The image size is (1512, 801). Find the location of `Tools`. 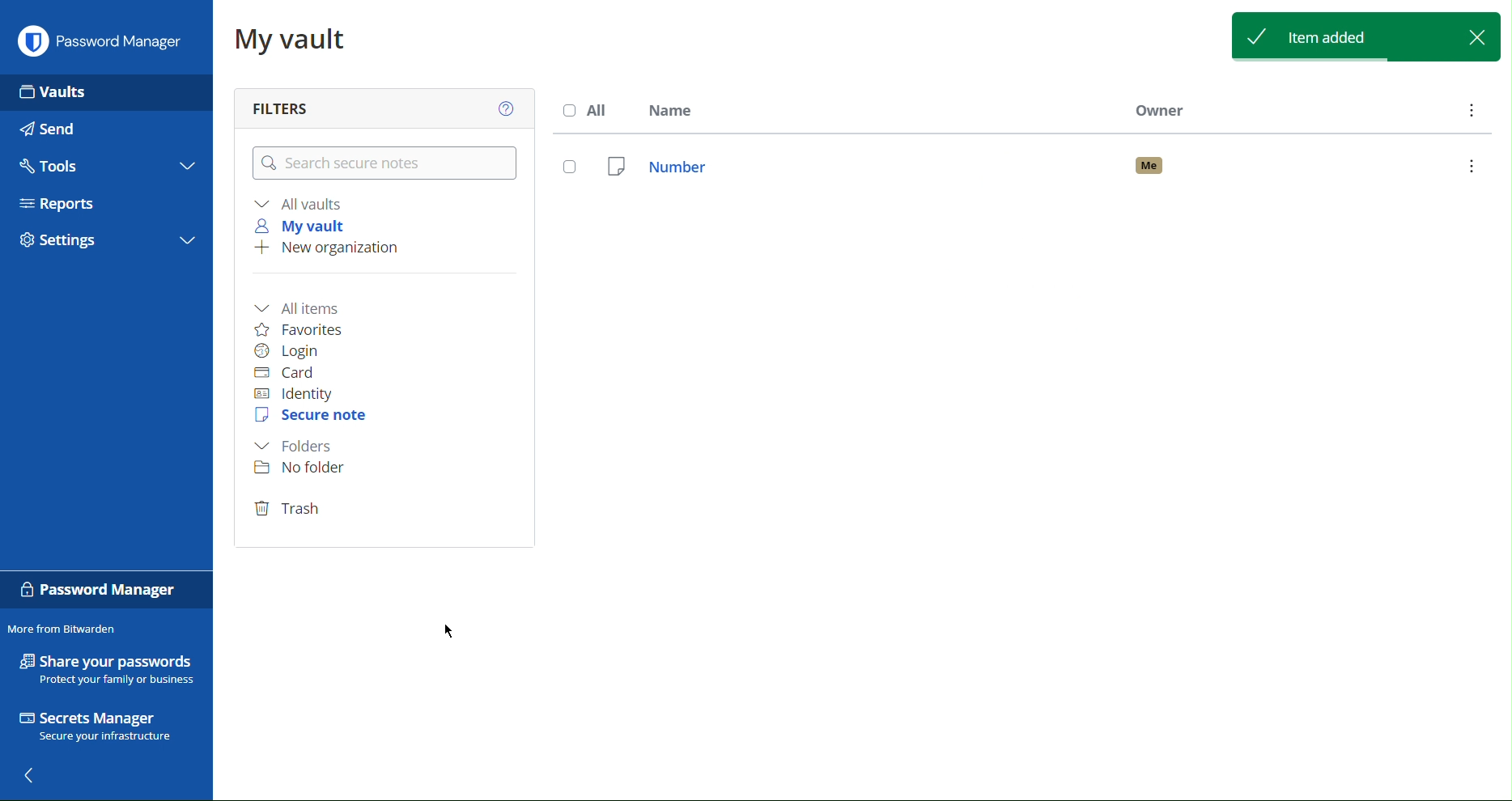

Tools is located at coordinates (55, 165).